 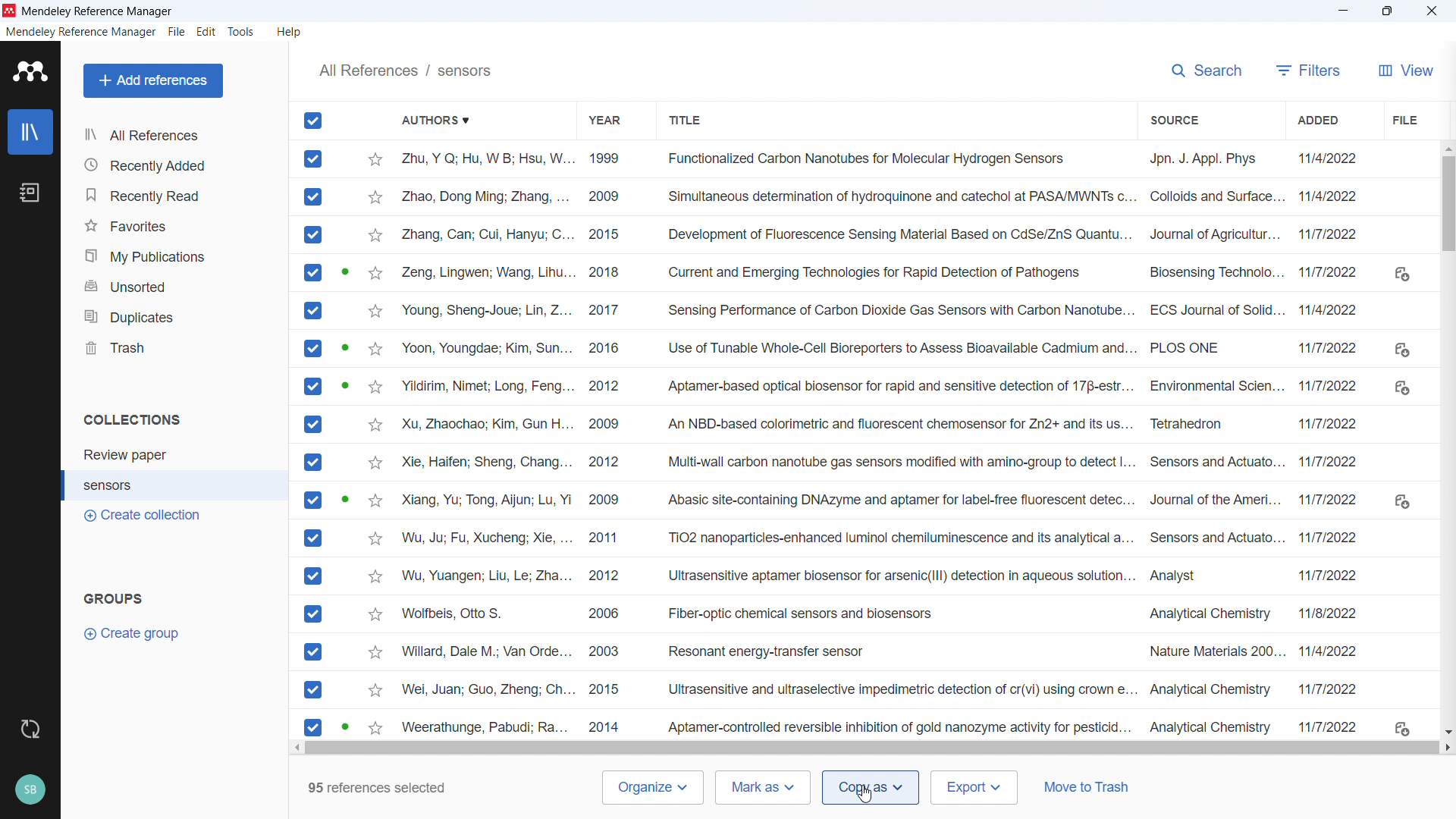 I want to click on Scroll up , so click(x=1447, y=149).